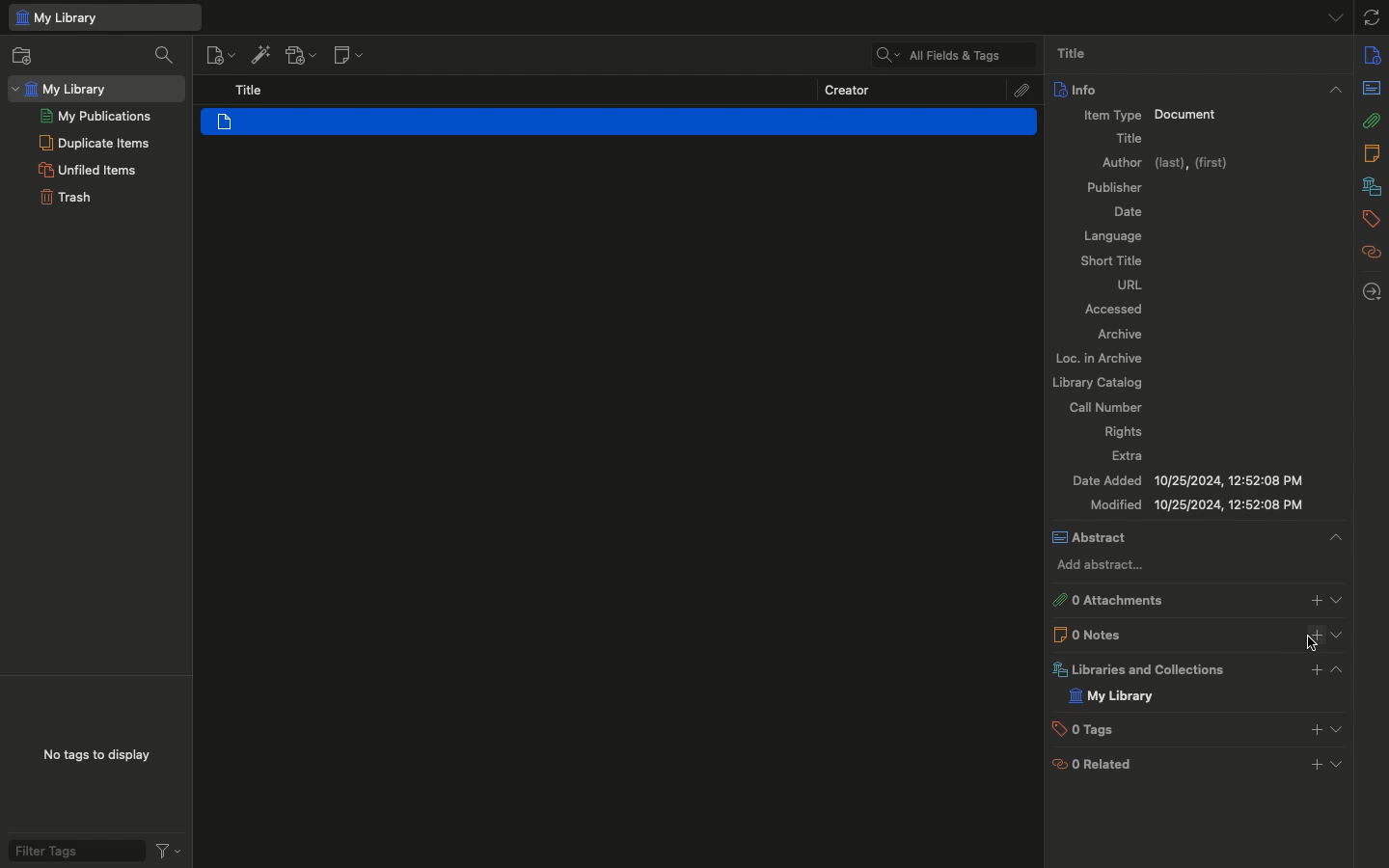 Image resolution: width=1389 pixels, height=868 pixels. What do you see at coordinates (96, 756) in the screenshot?
I see `No tags to display` at bounding box center [96, 756].